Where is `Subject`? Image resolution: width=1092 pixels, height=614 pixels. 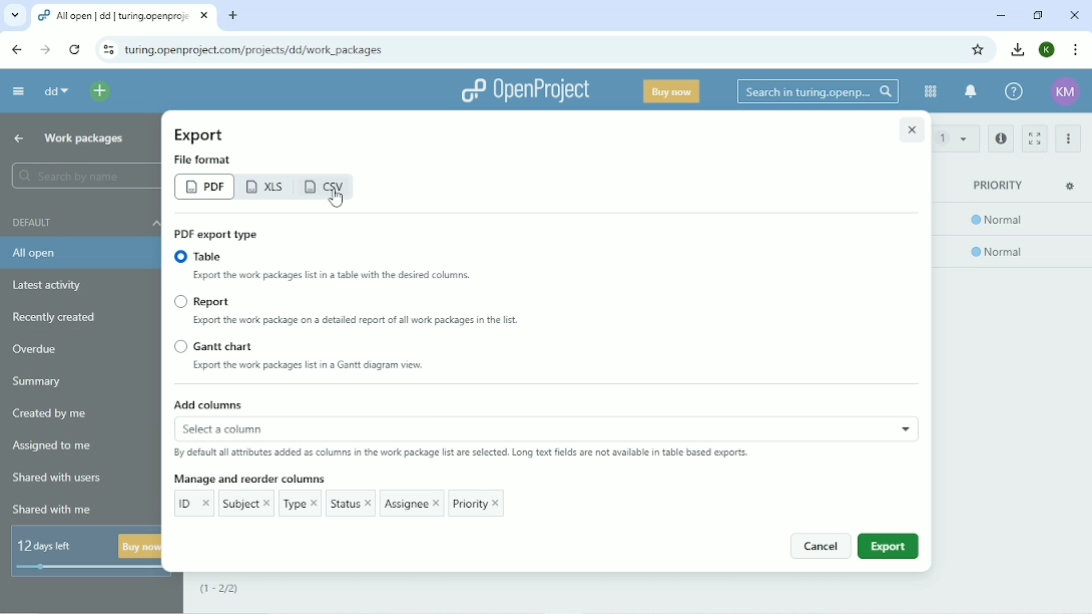 Subject is located at coordinates (246, 503).